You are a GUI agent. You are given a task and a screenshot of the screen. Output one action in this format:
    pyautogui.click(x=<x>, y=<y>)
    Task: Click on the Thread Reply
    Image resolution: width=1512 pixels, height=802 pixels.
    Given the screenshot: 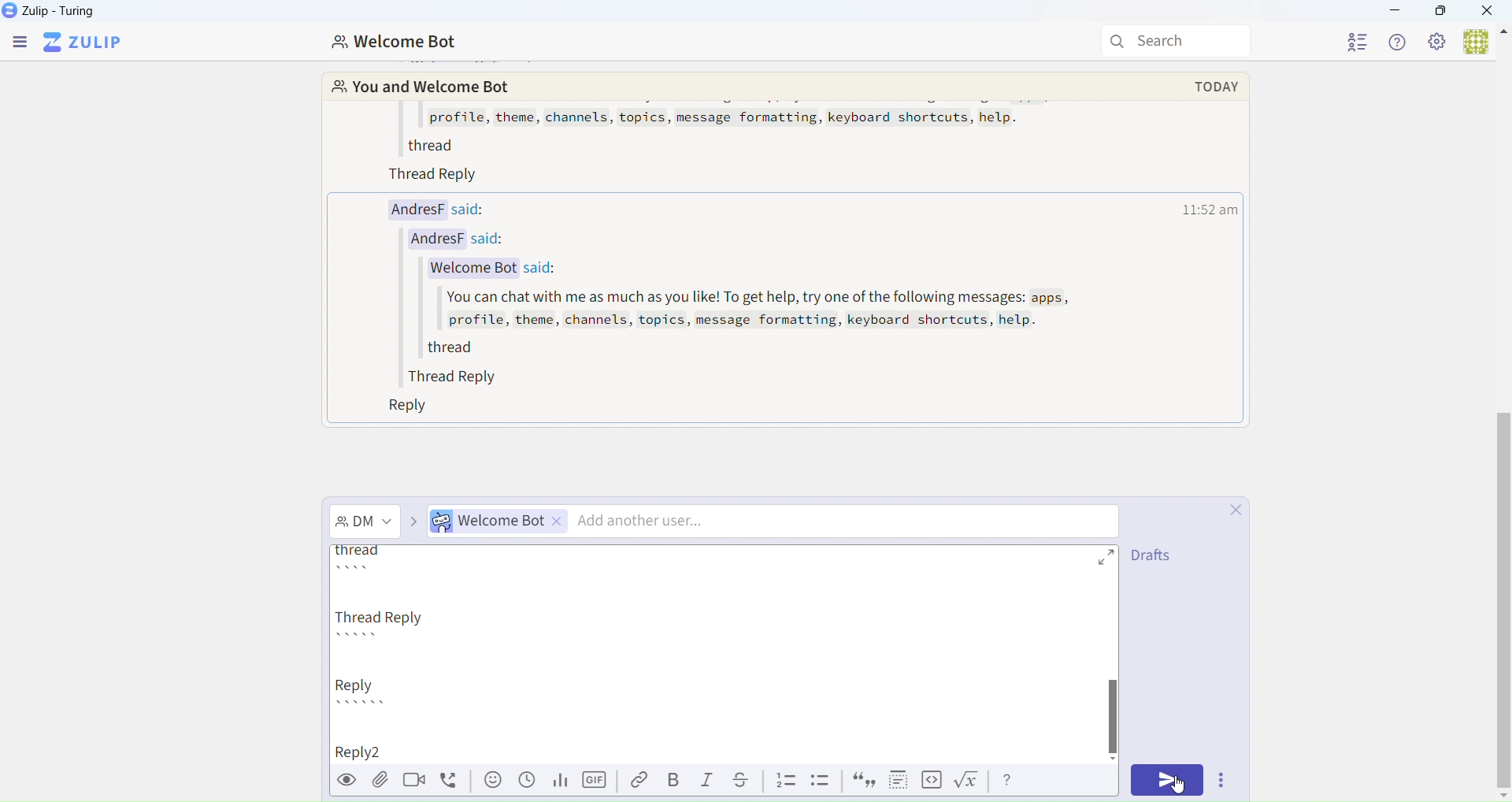 What is the action you would take?
    pyautogui.click(x=384, y=626)
    